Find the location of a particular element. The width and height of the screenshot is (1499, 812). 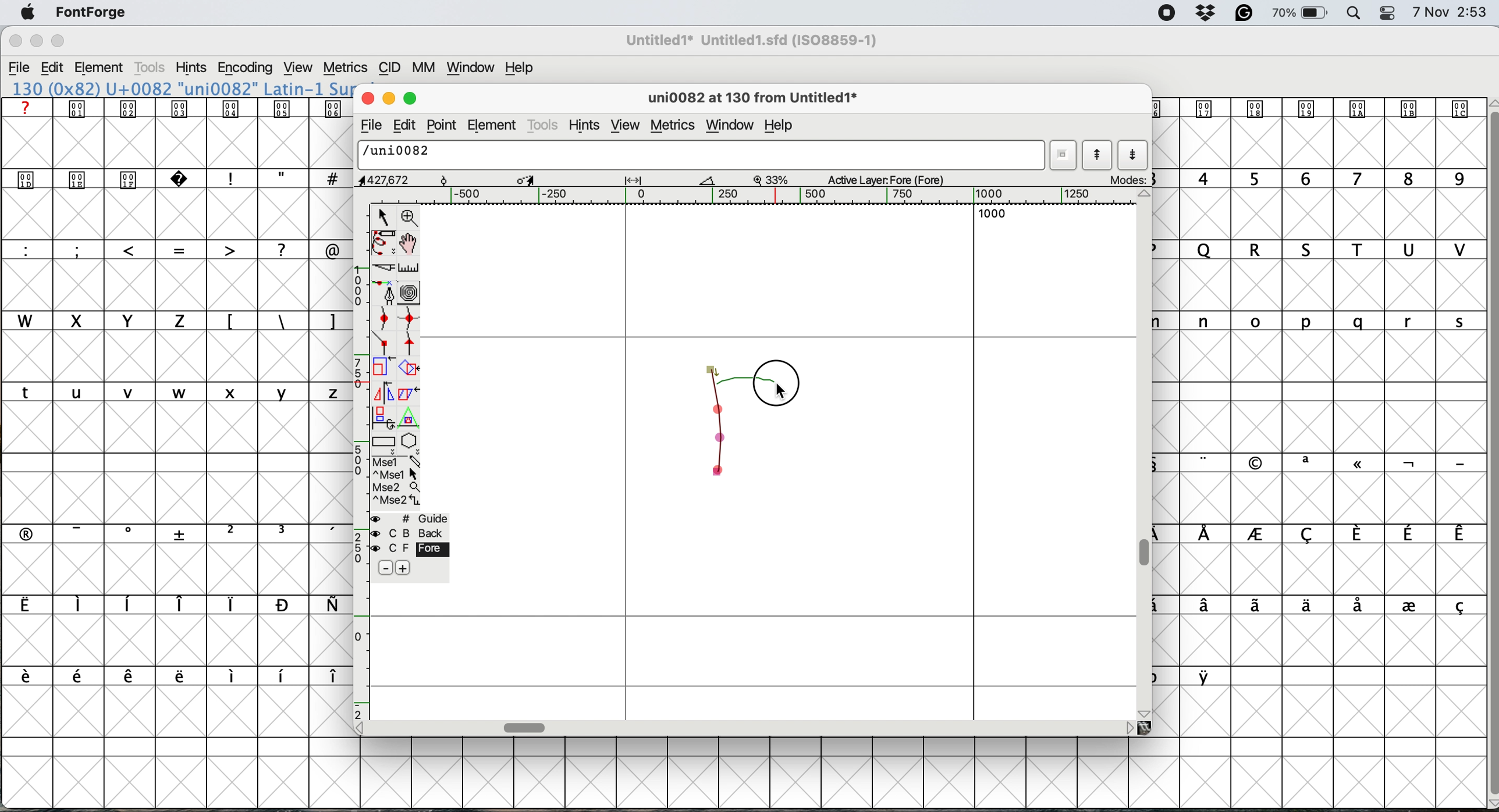

special characters is located at coordinates (1319, 535).